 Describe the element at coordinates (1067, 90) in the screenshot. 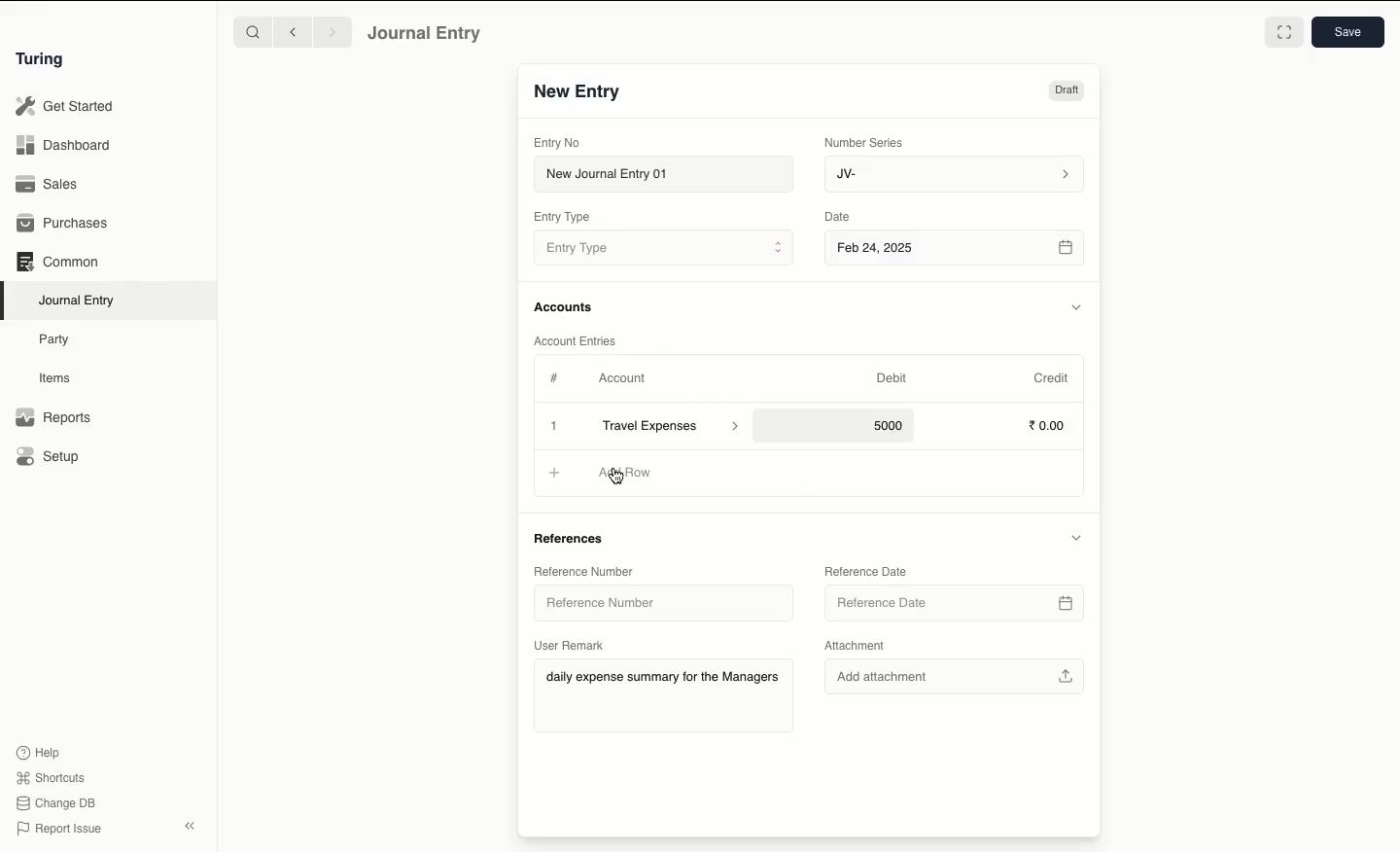

I see `Draft` at that location.